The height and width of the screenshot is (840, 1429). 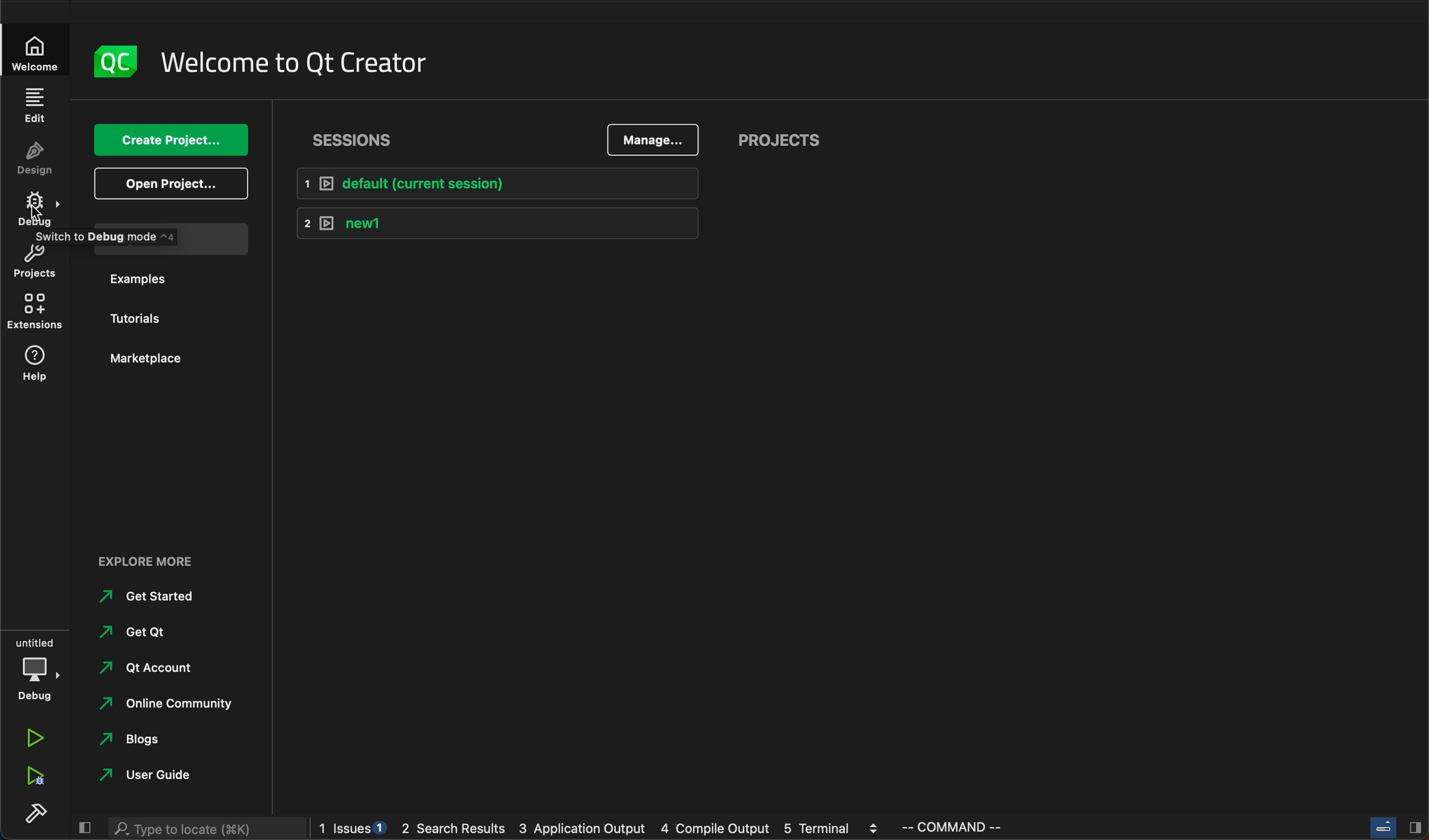 I want to click on tutorials, so click(x=148, y=320).